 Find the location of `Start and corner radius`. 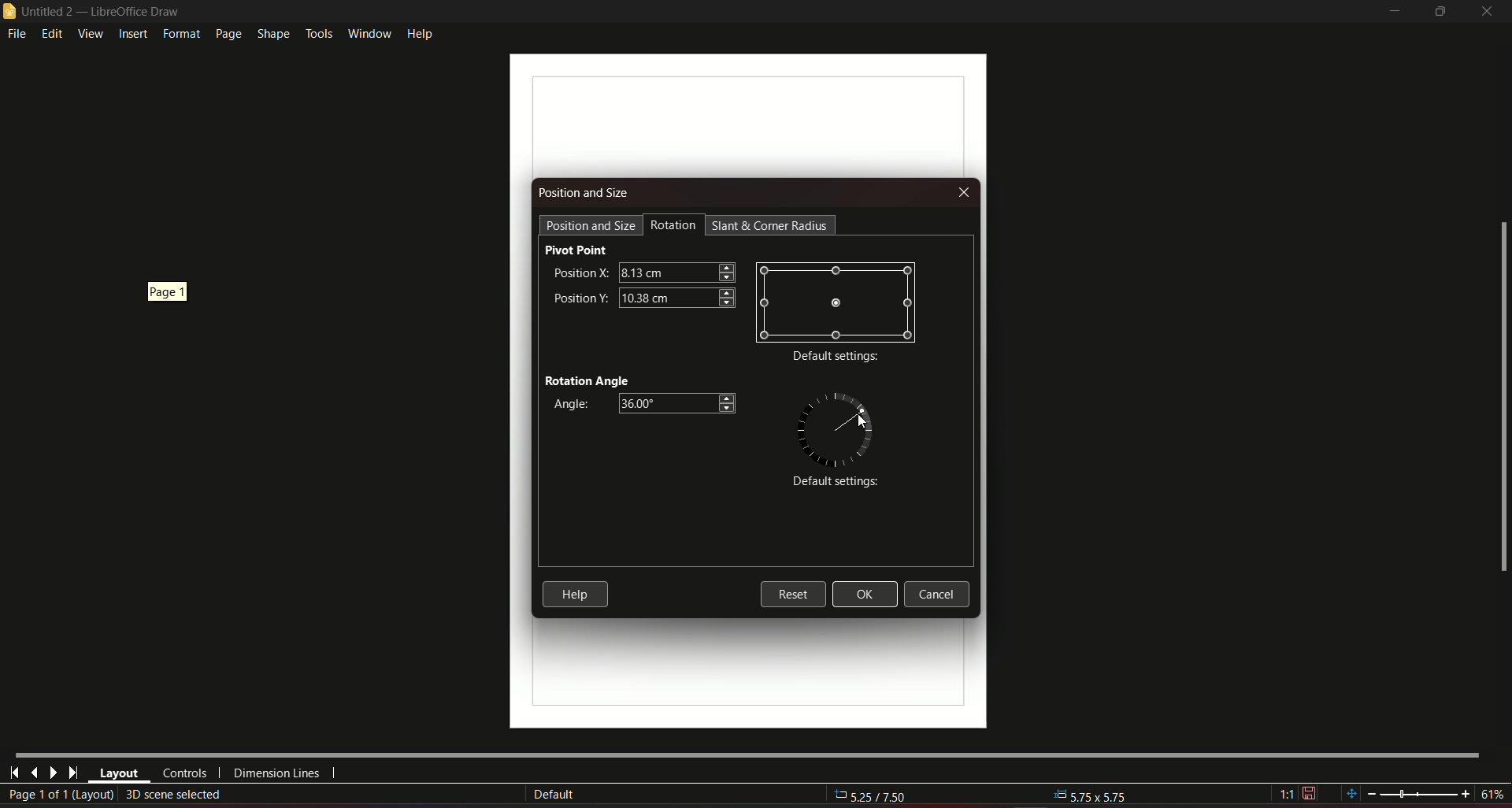

Start and corner radius is located at coordinates (772, 225).